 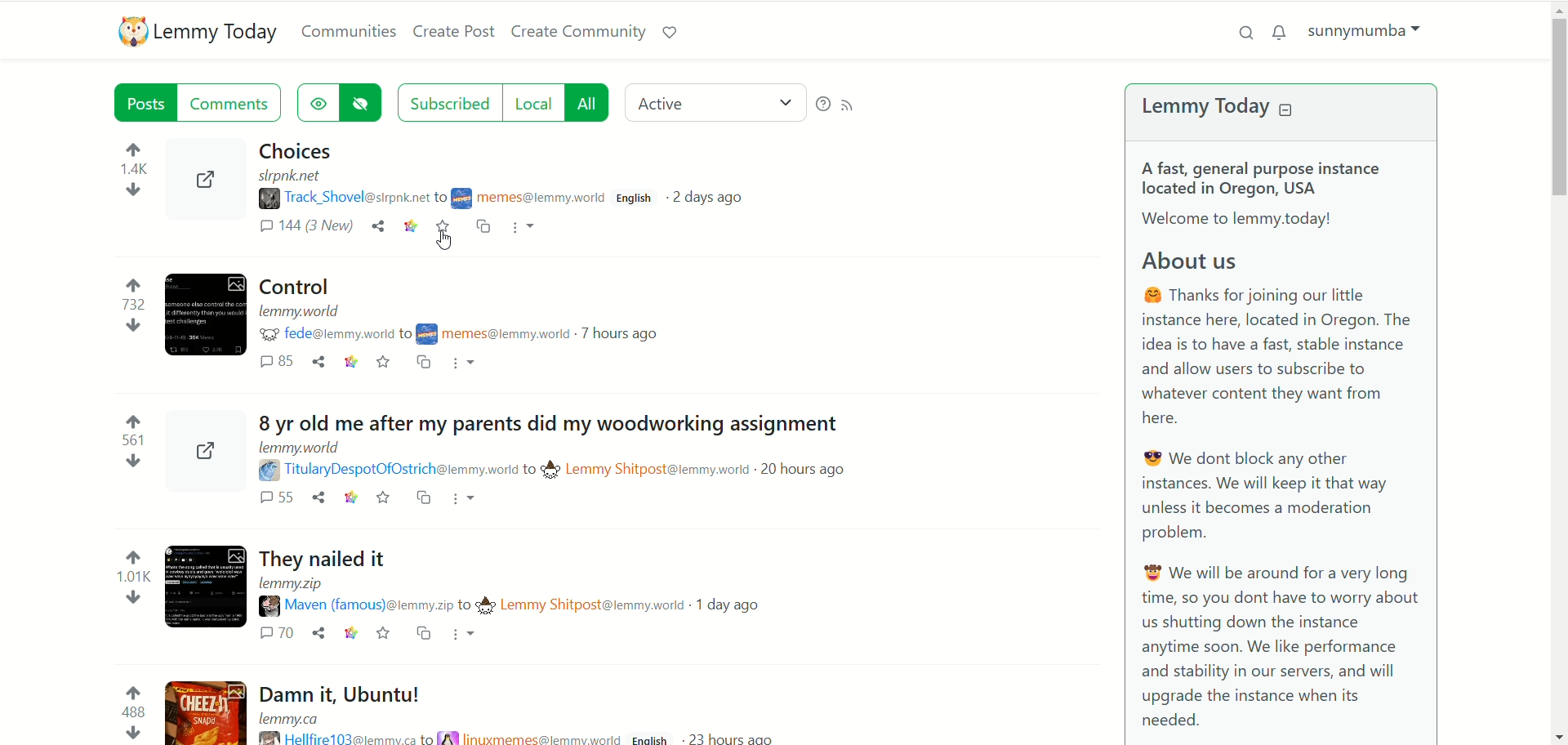 I want to click on search, so click(x=1247, y=33).